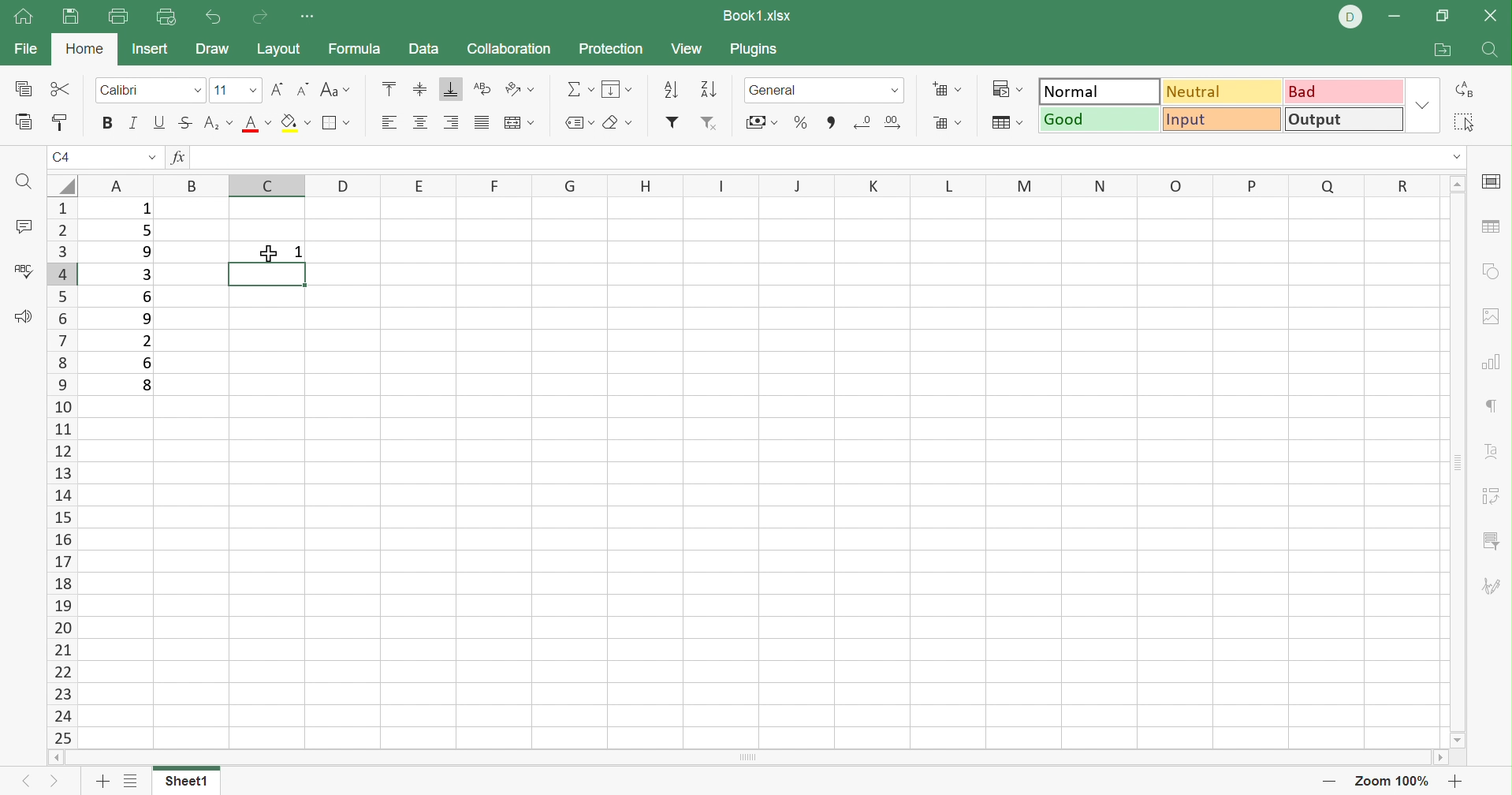 This screenshot has height=795, width=1512. What do you see at coordinates (391, 88) in the screenshot?
I see `Align Top` at bounding box center [391, 88].